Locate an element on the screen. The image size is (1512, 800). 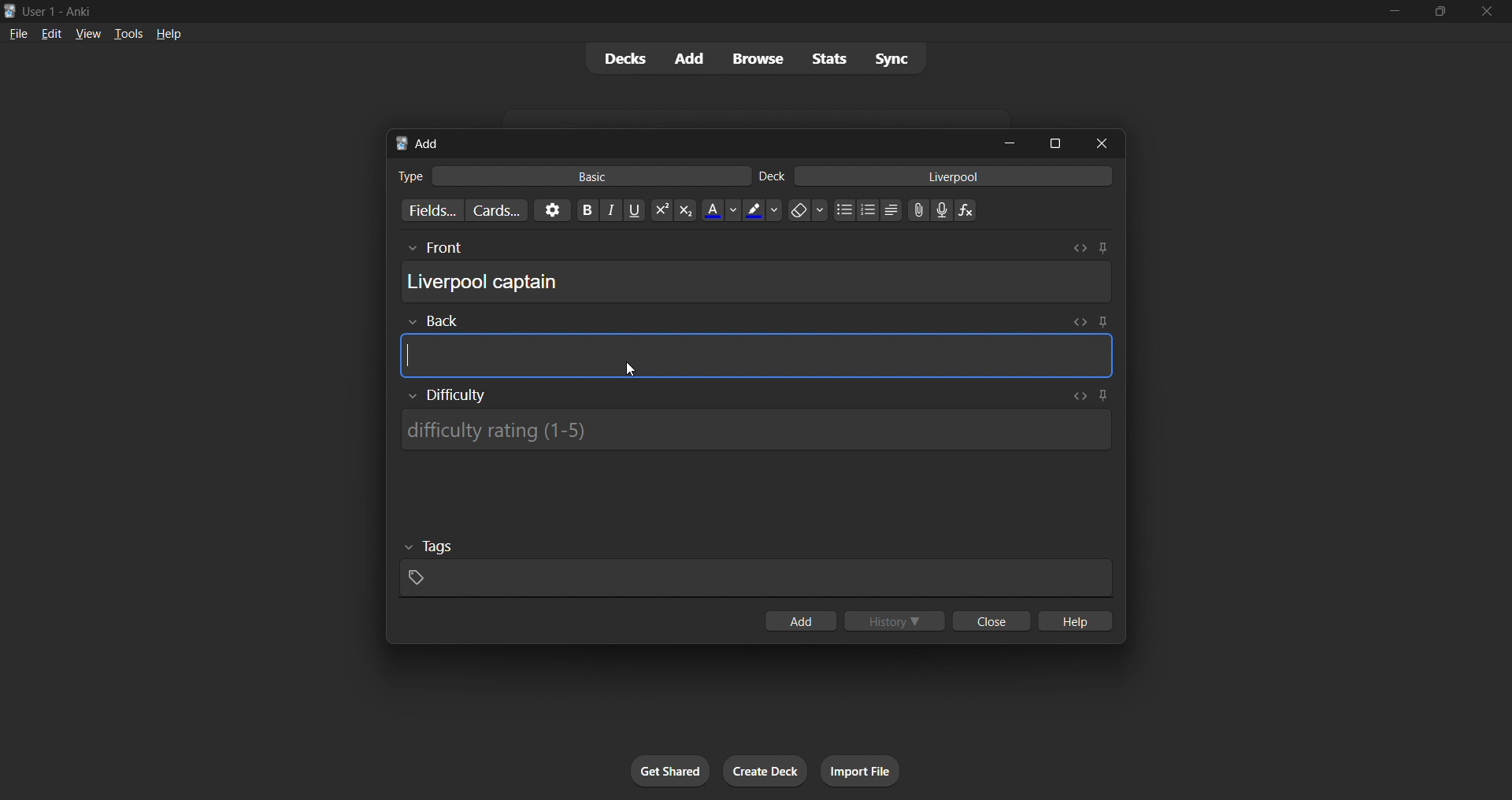
decks is located at coordinates (623, 59).